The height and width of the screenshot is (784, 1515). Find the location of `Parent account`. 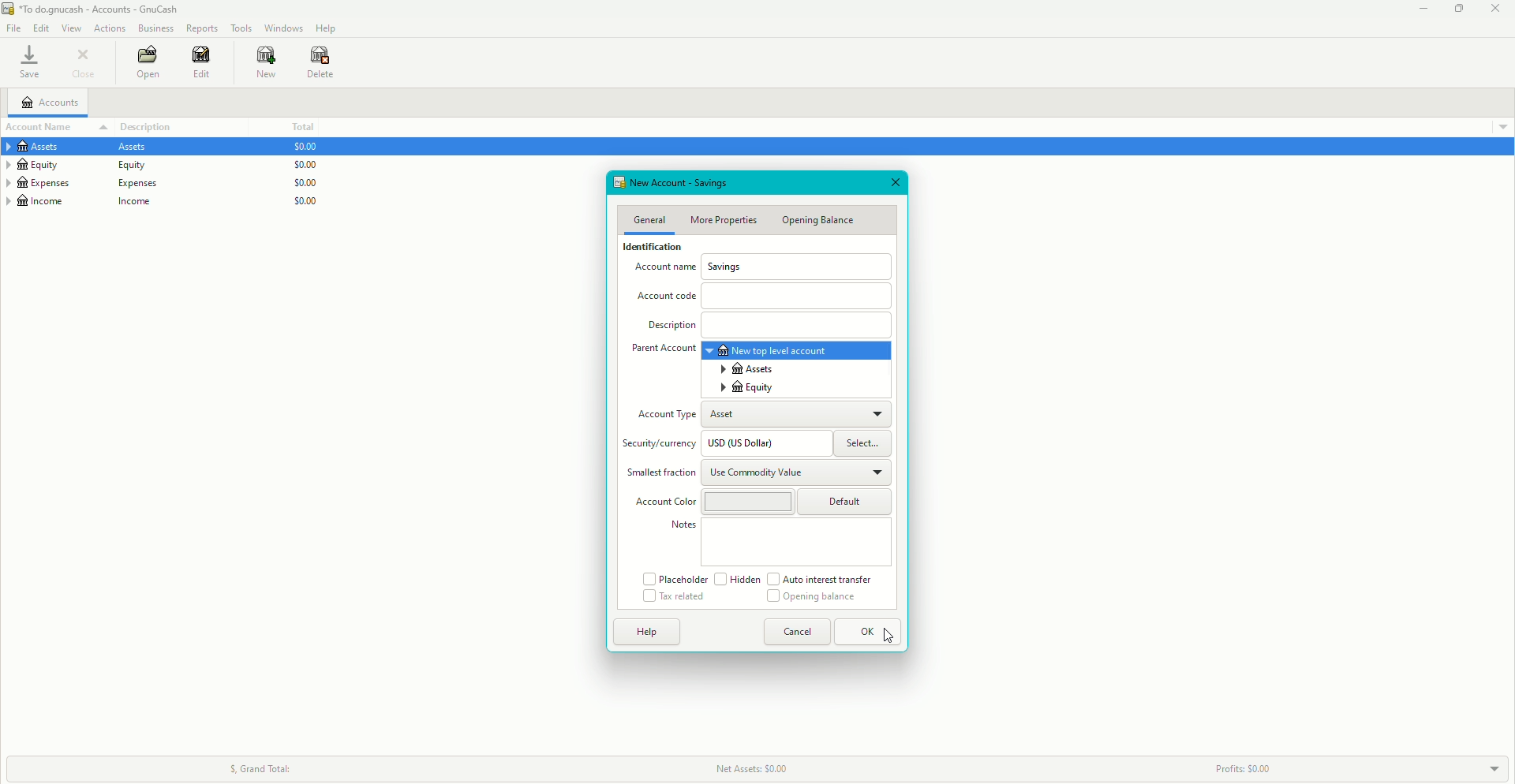

Parent account is located at coordinates (663, 349).